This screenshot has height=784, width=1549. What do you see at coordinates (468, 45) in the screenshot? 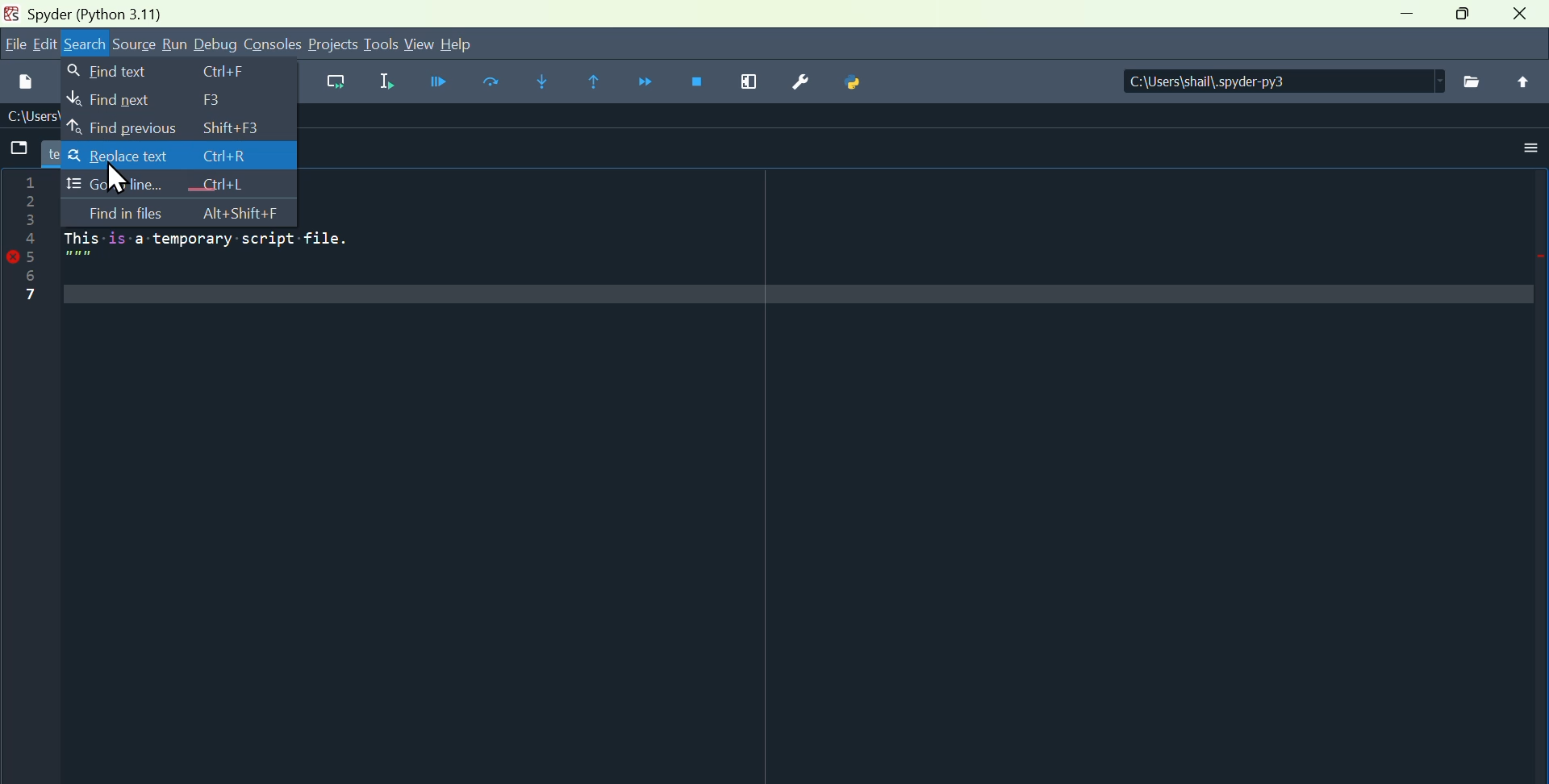
I see `help` at bounding box center [468, 45].